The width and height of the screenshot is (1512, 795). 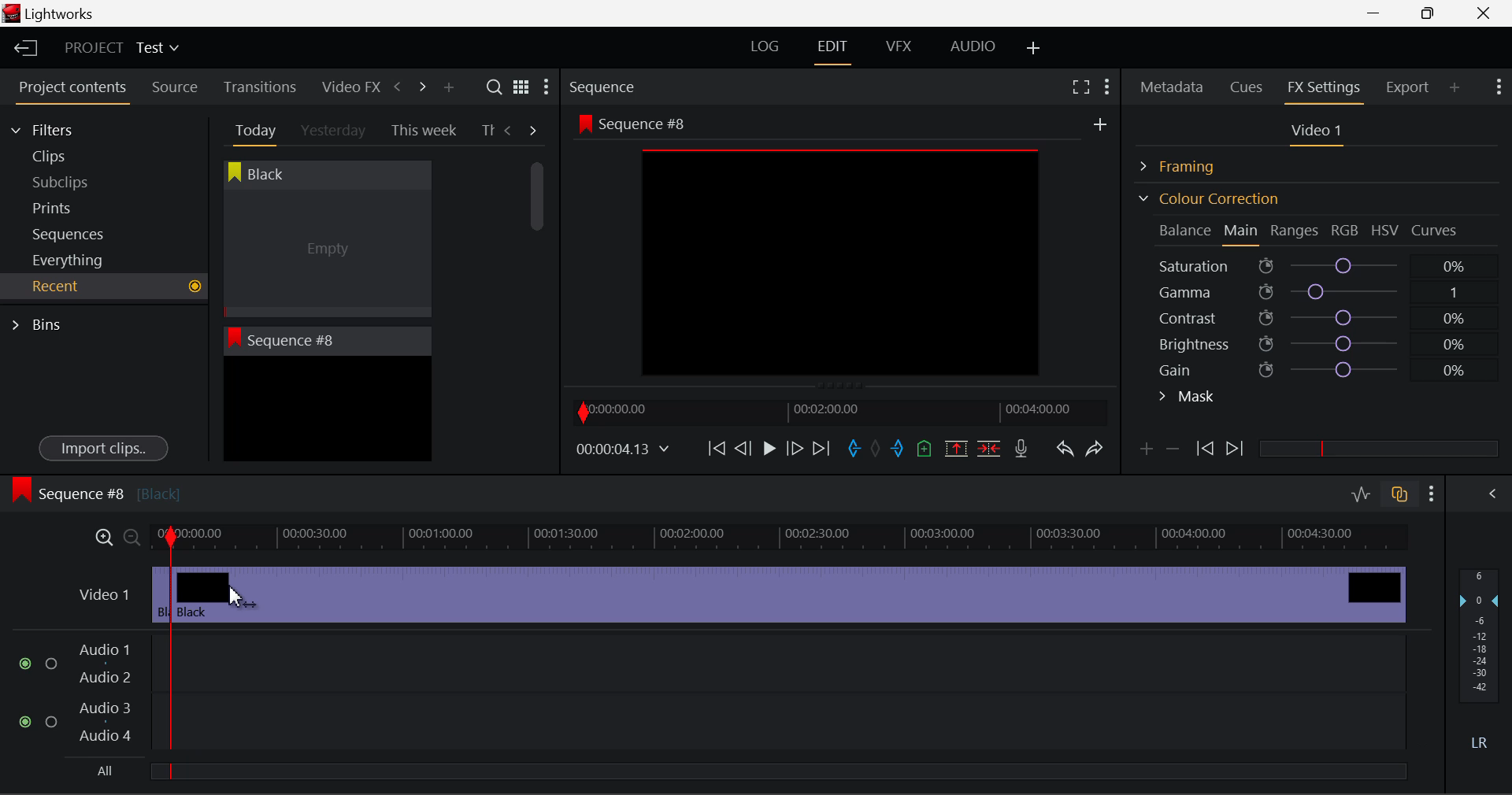 I want to click on Restore Down, so click(x=1379, y=13).